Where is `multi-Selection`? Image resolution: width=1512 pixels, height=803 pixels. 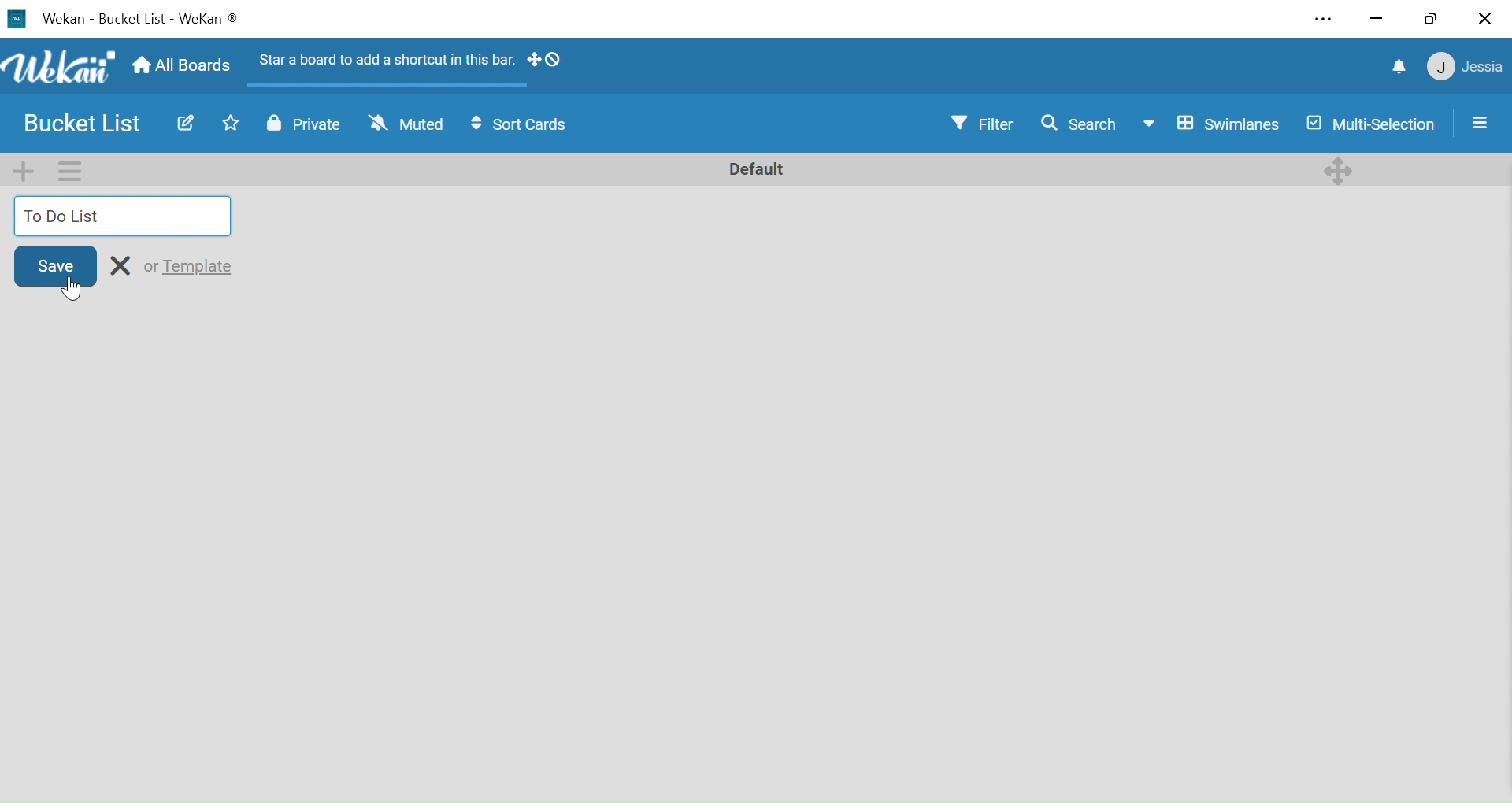 multi-Selection is located at coordinates (1369, 124).